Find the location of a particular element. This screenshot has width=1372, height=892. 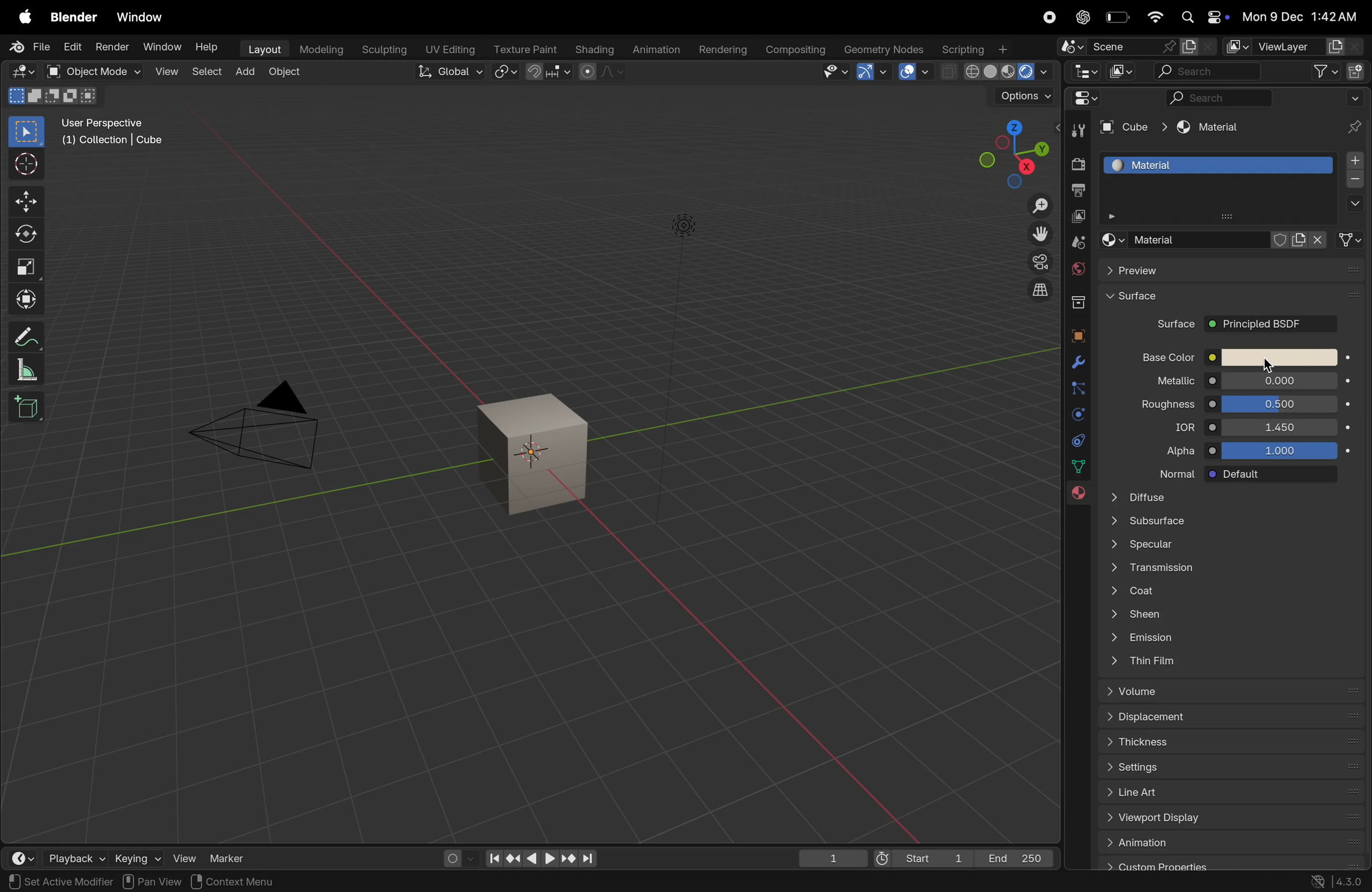

zoom i  is located at coordinates (1041, 202).